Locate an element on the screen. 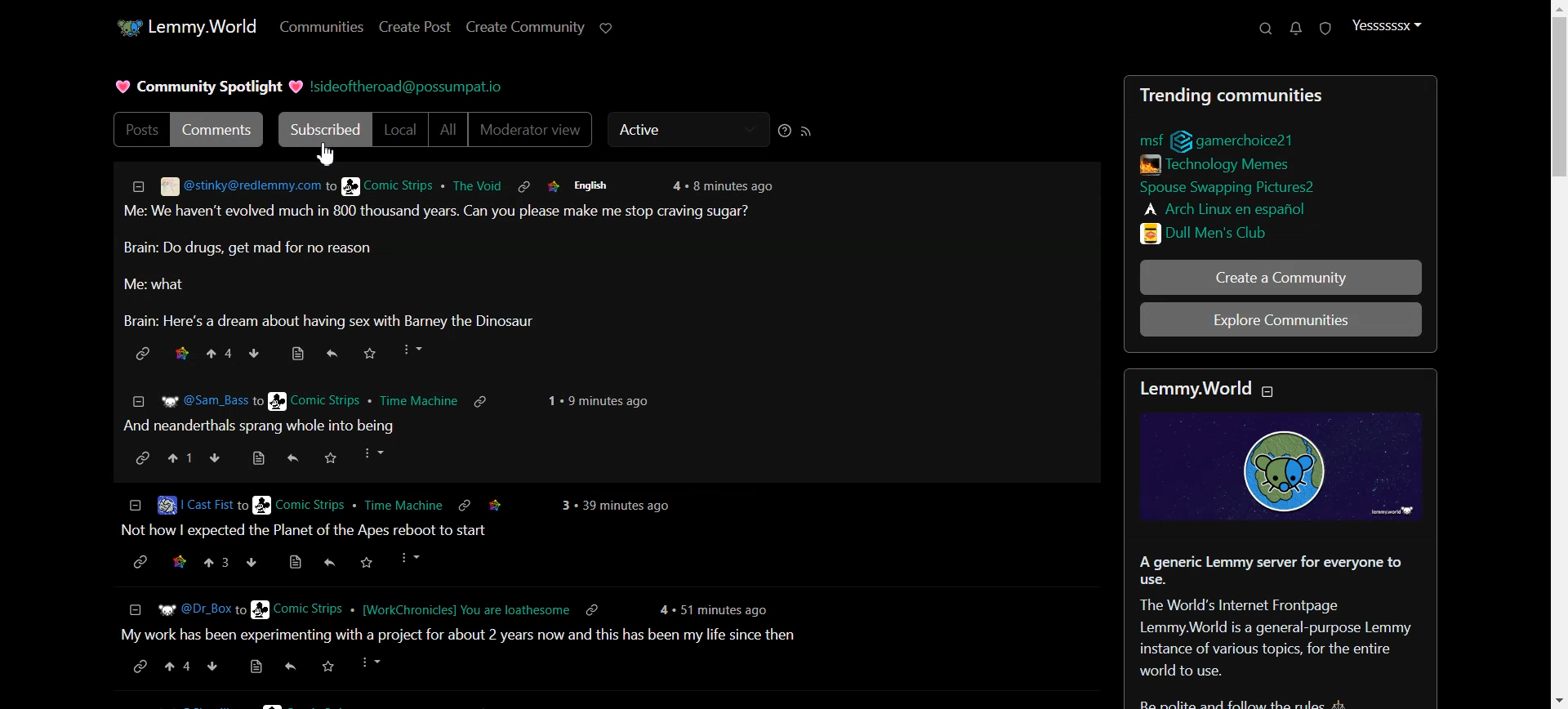  bookmark is located at coordinates (252, 671).